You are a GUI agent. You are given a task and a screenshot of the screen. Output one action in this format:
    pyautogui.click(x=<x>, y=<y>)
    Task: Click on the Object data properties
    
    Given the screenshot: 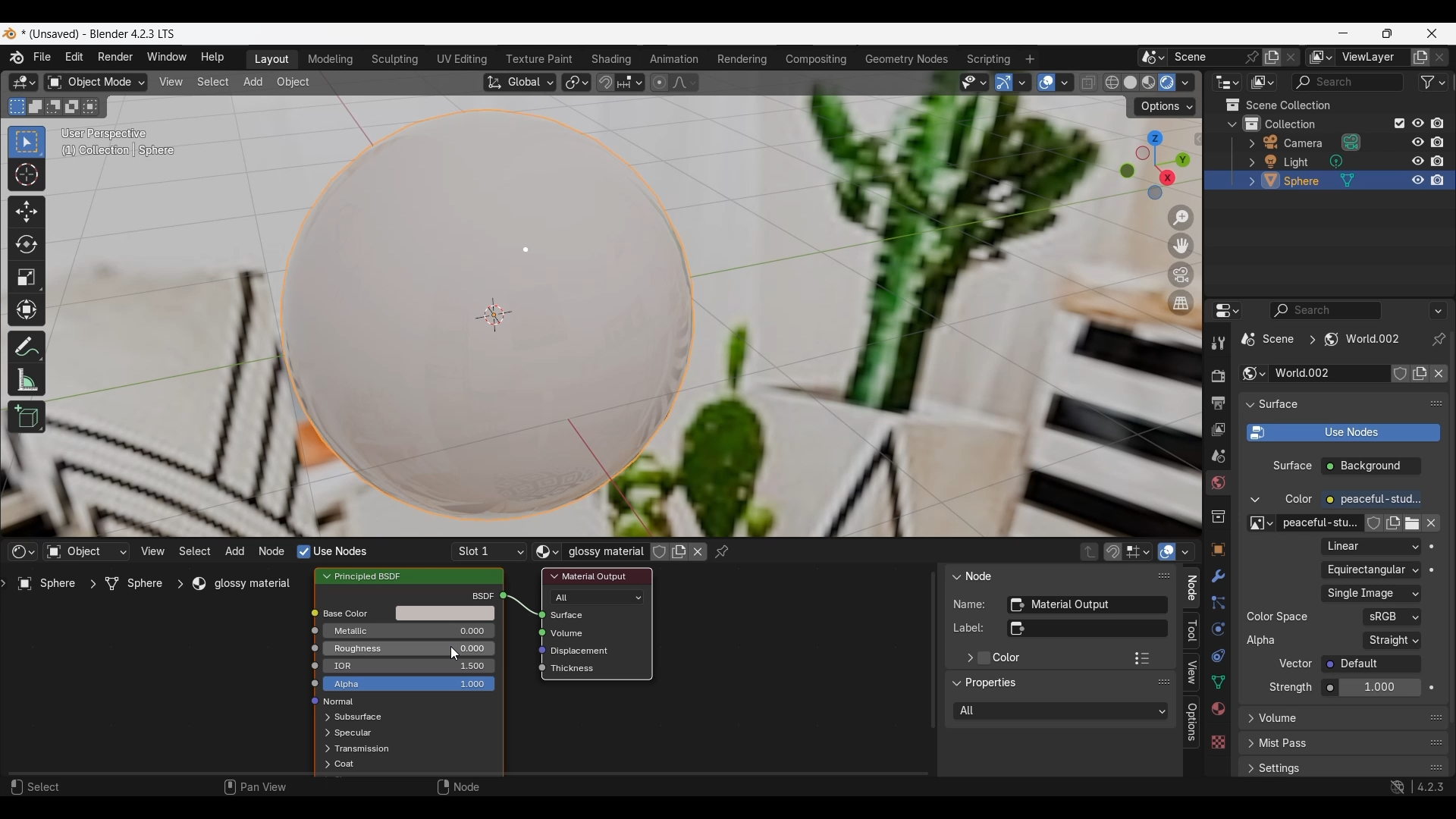 What is the action you would take?
    pyautogui.click(x=1217, y=682)
    